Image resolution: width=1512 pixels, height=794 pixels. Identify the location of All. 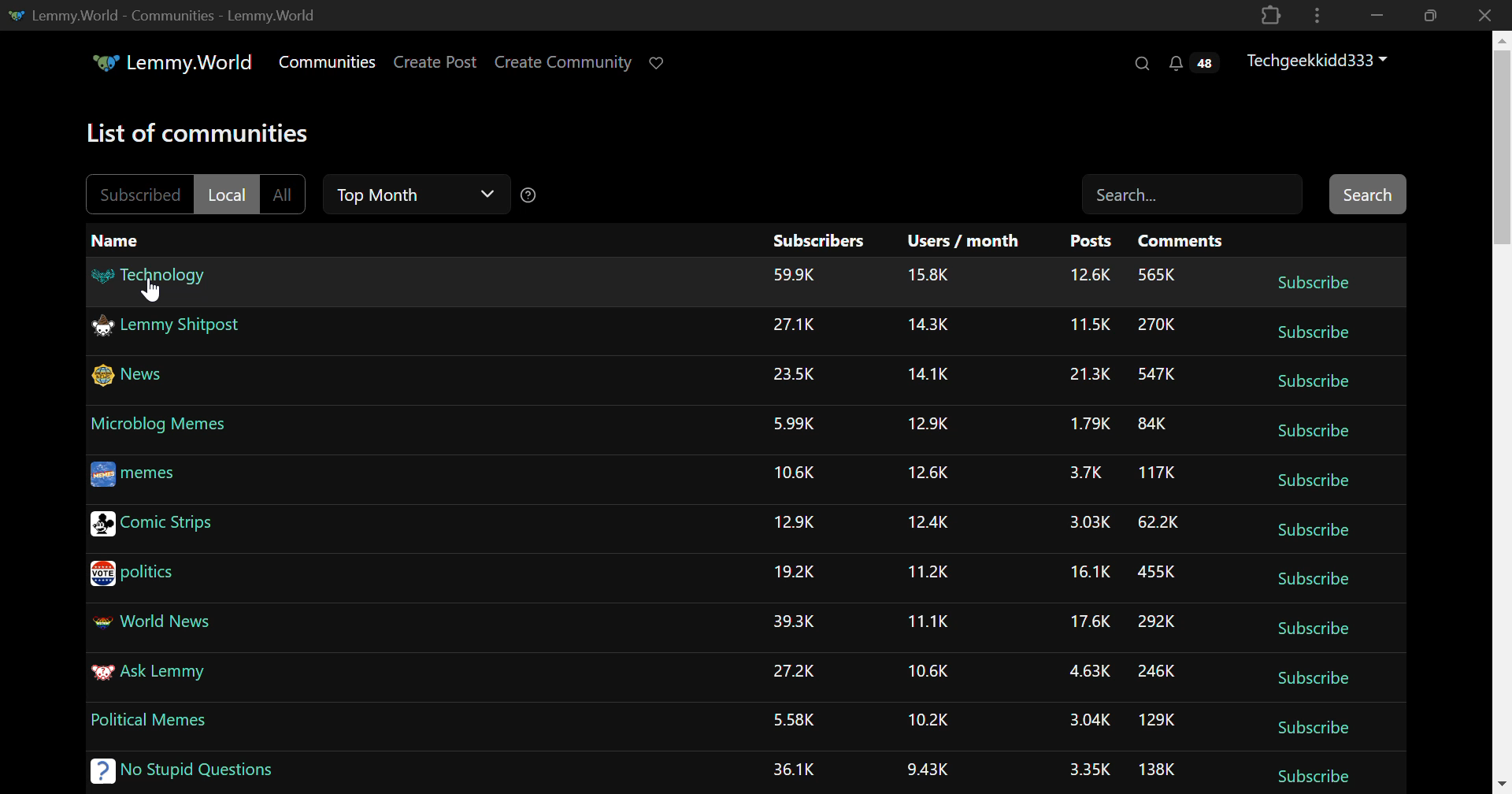
(280, 195).